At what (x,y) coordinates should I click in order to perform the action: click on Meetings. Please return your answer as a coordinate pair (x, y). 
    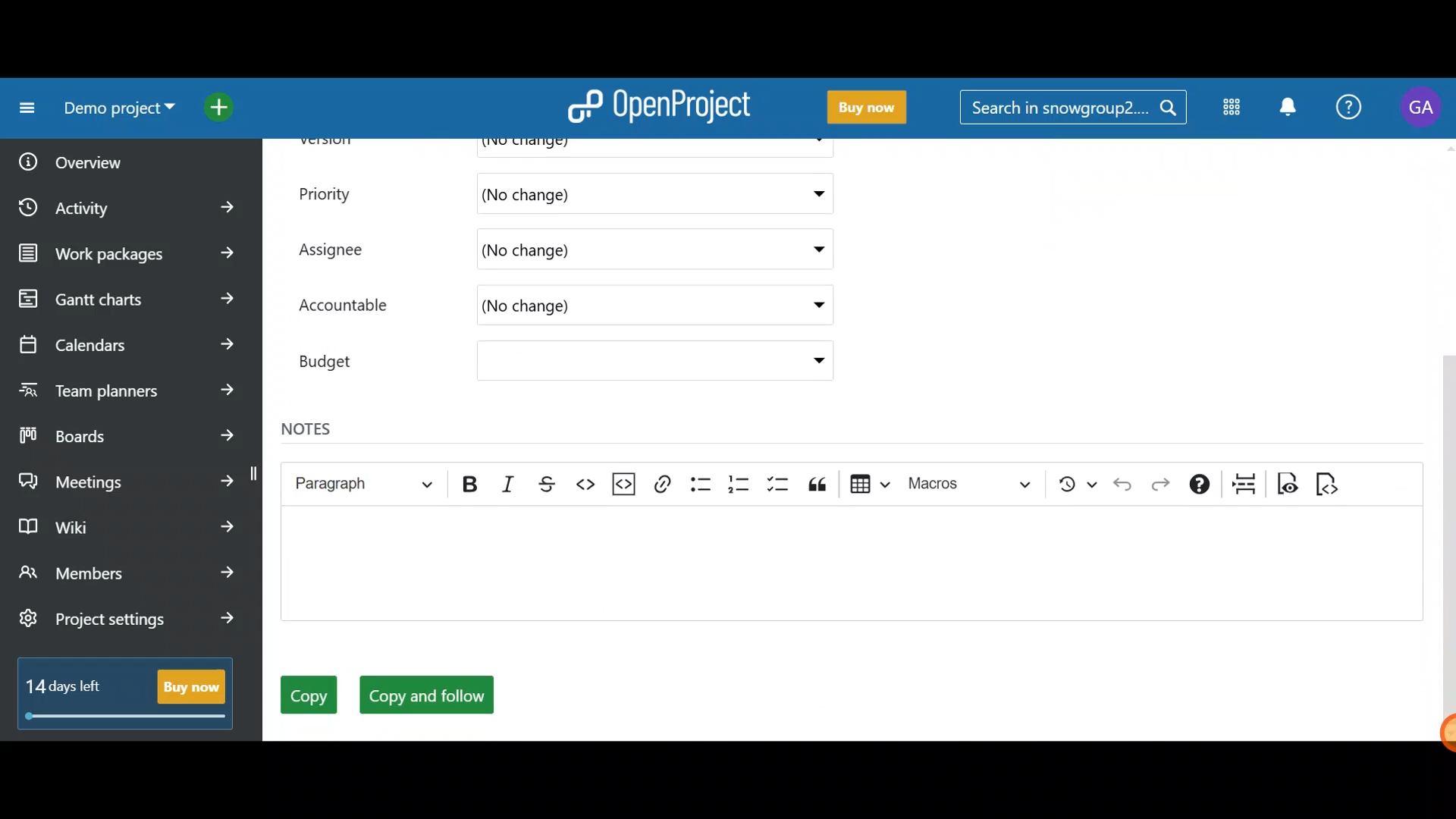
    Looking at the image, I should click on (127, 478).